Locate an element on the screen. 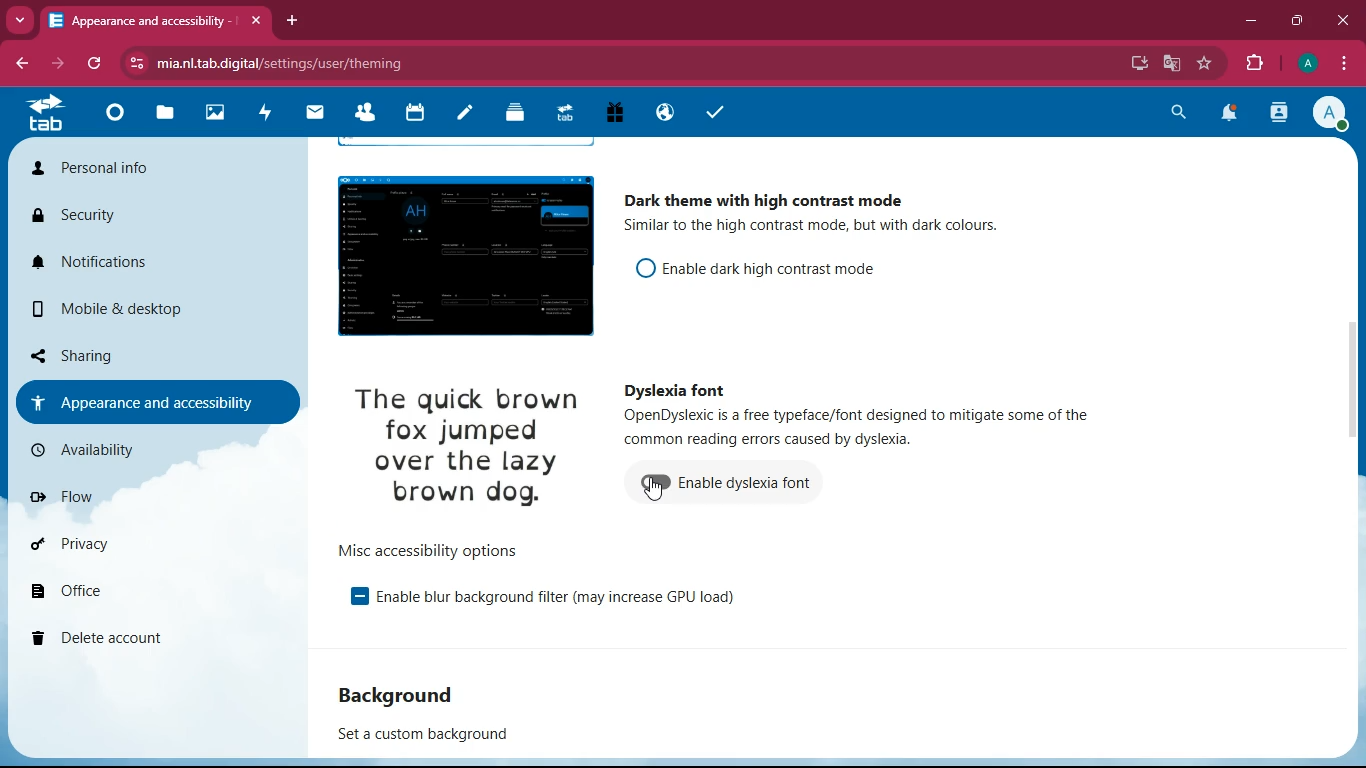 Image resolution: width=1366 pixels, height=768 pixels. tasks is located at coordinates (723, 114).